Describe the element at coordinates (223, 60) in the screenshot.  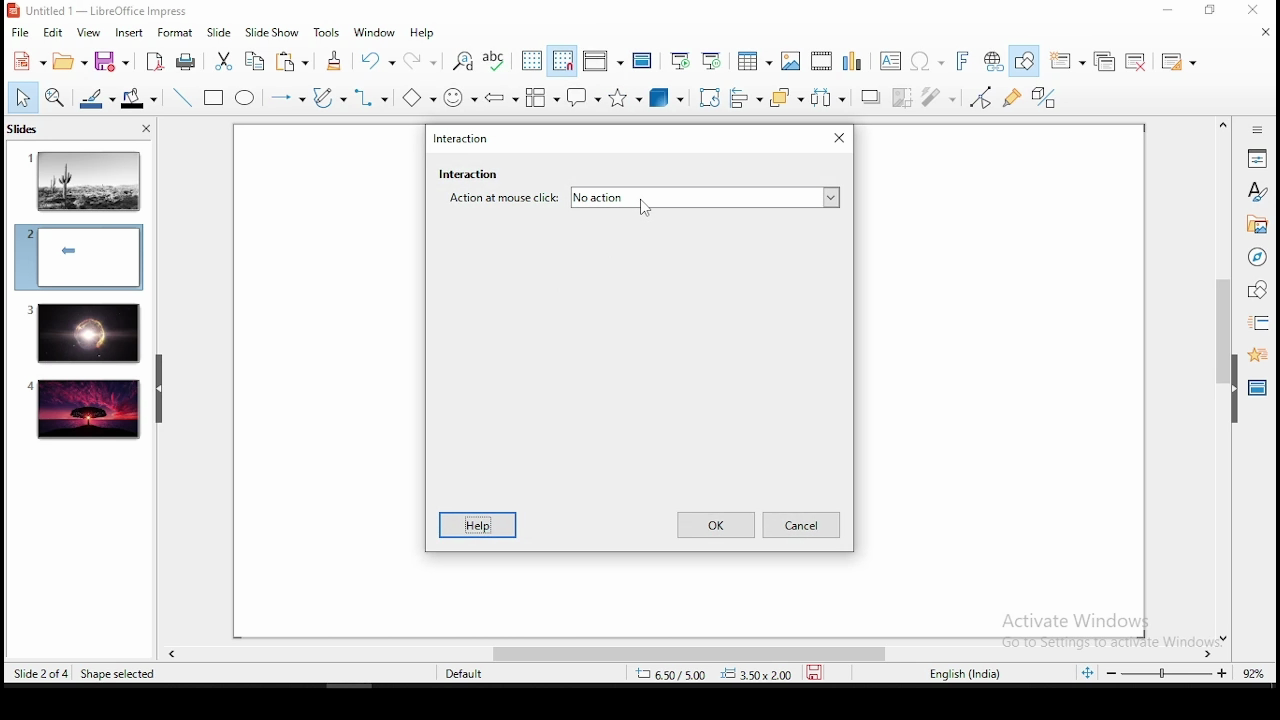
I see `cut` at that location.